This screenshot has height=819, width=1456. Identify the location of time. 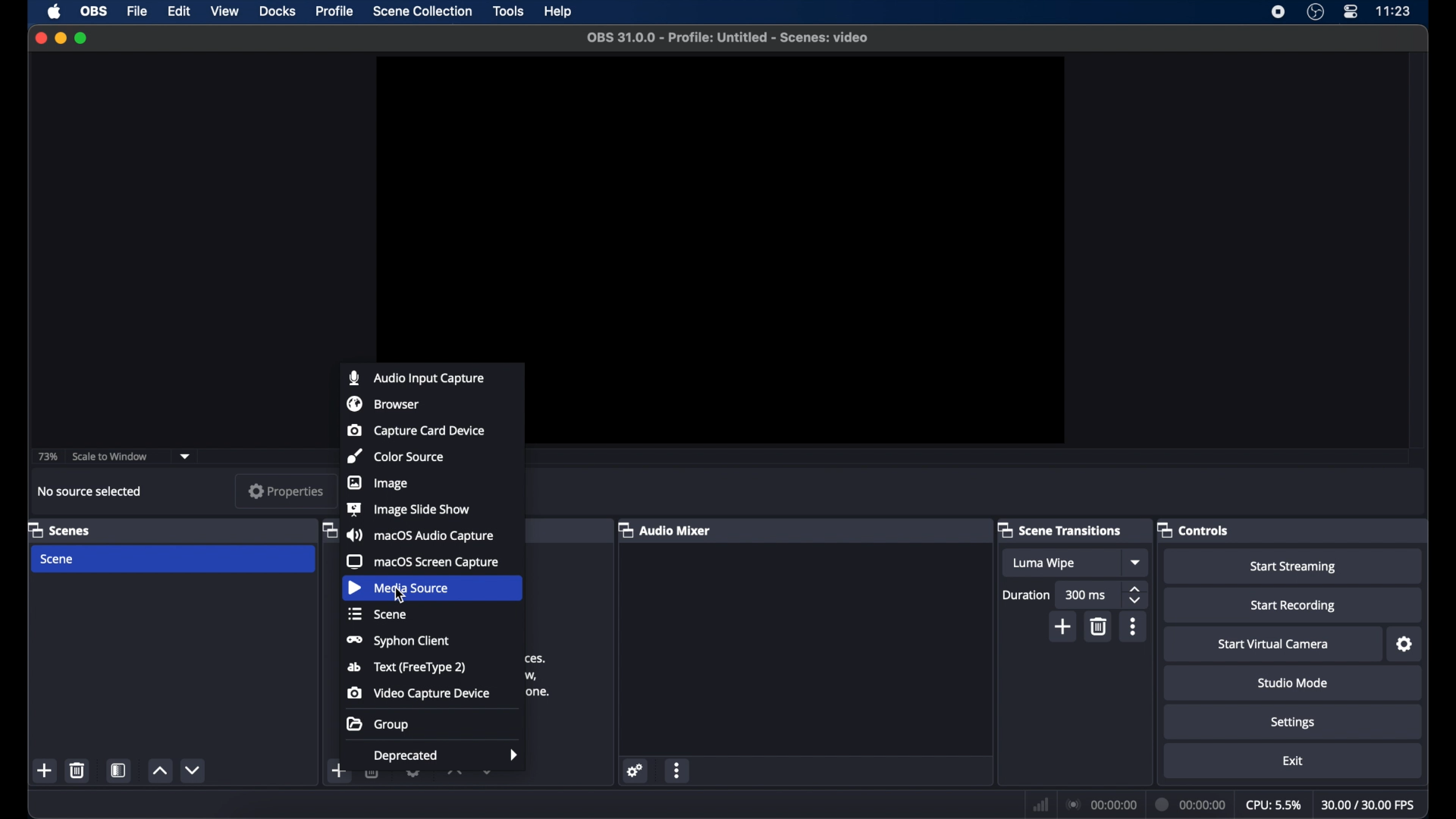
(1394, 10).